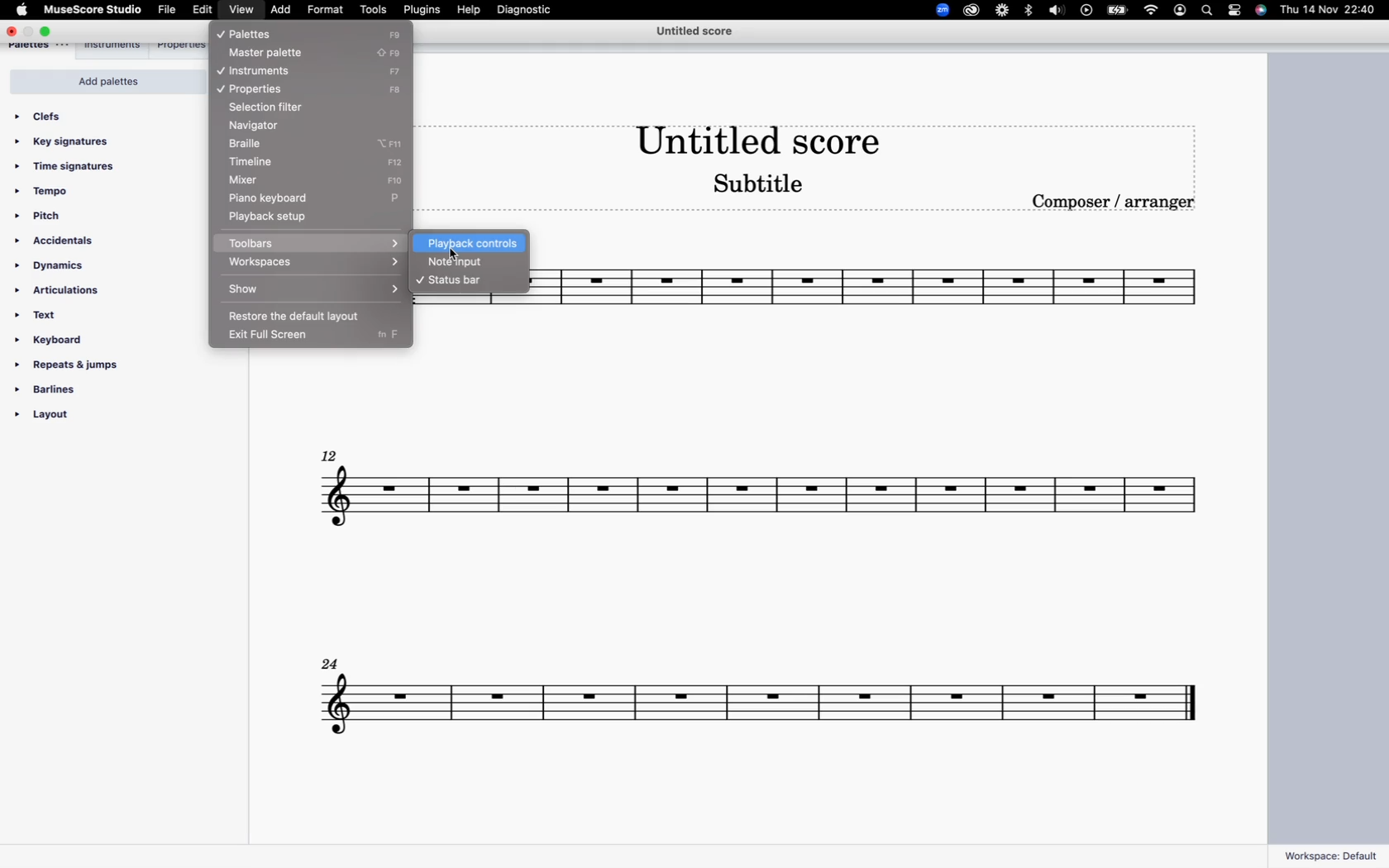  What do you see at coordinates (313, 264) in the screenshot?
I see `workspaces` at bounding box center [313, 264].